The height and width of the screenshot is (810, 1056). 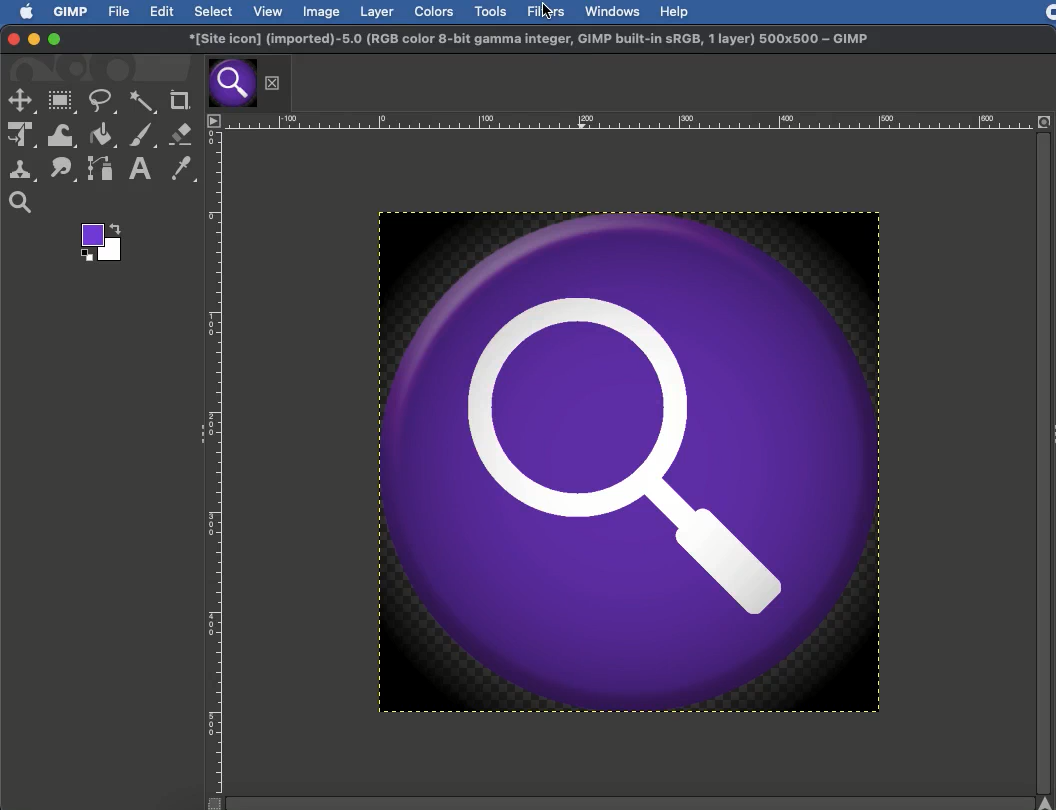 What do you see at coordinates (531, 39) in the screenshot?
I see `GIMP project` at bounding box center [531, 39].